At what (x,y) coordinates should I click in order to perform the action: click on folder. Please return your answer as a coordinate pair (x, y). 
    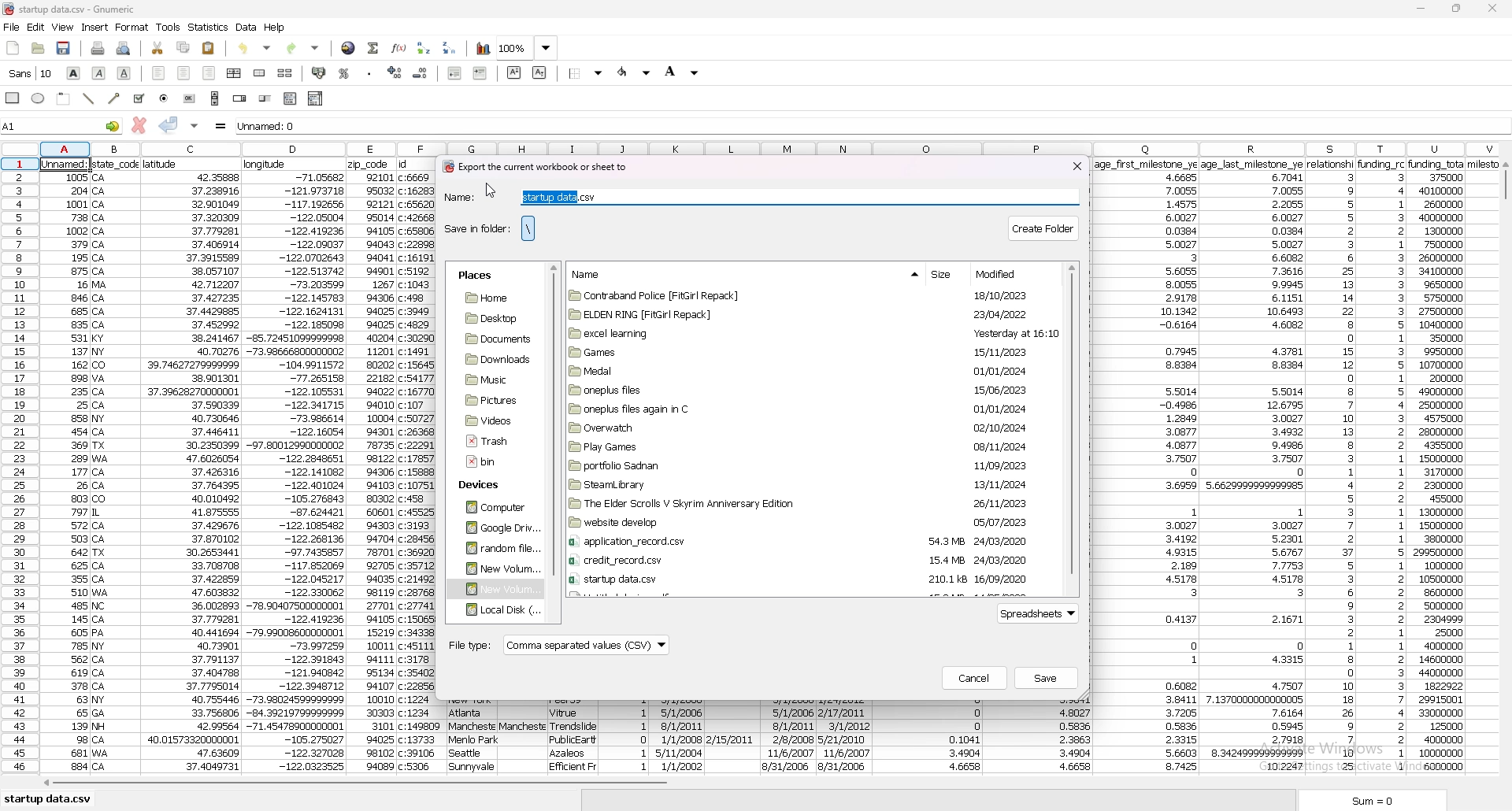
    Looking at the image, I should click on (495, 339).